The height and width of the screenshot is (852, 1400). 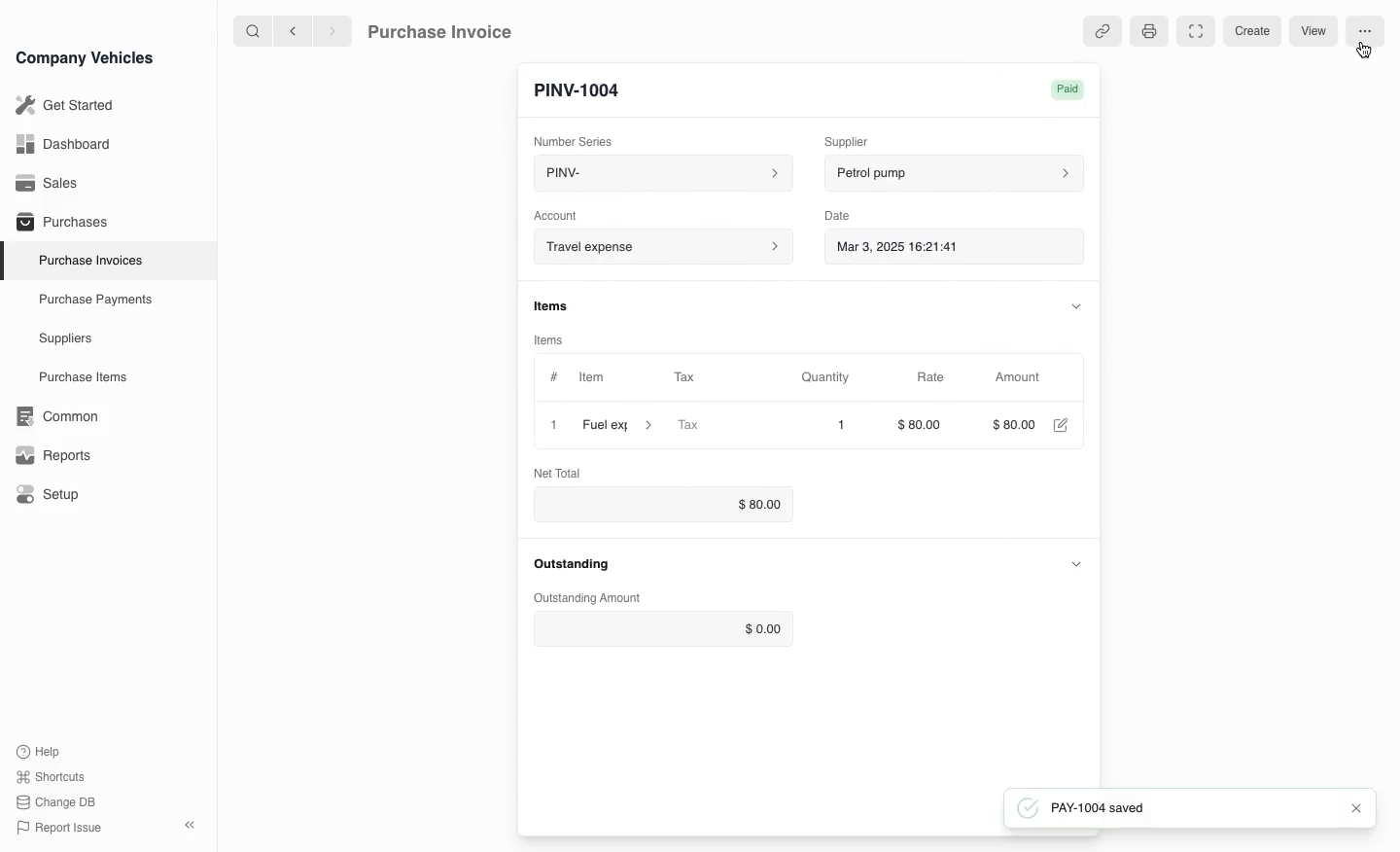 What do you see at coordinates (1314, 30) in the screenshot?
I see `view` at bounding box center [1314, 30].